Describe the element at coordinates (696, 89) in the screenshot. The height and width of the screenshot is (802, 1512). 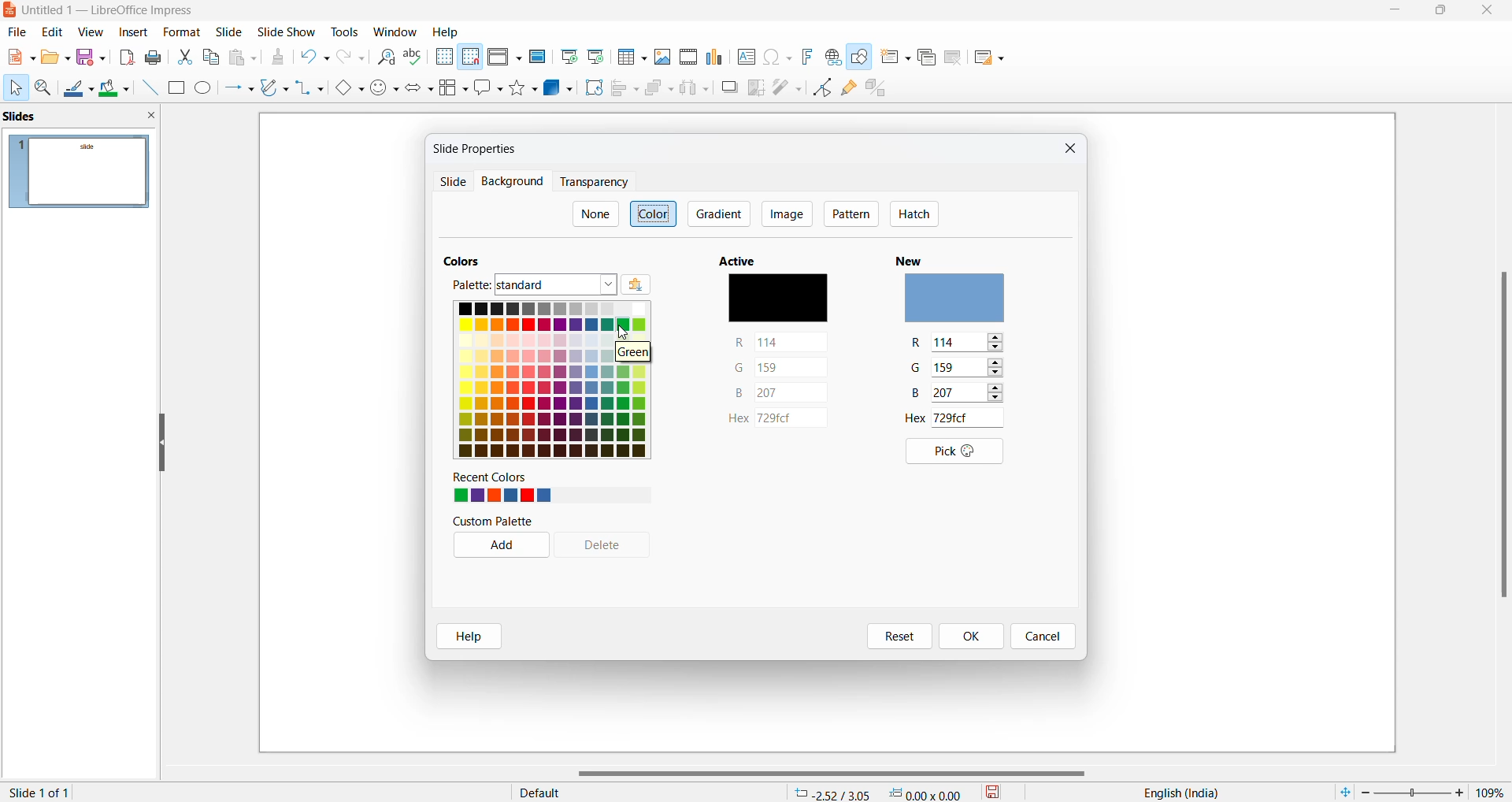
I see `object distribution` at that location.